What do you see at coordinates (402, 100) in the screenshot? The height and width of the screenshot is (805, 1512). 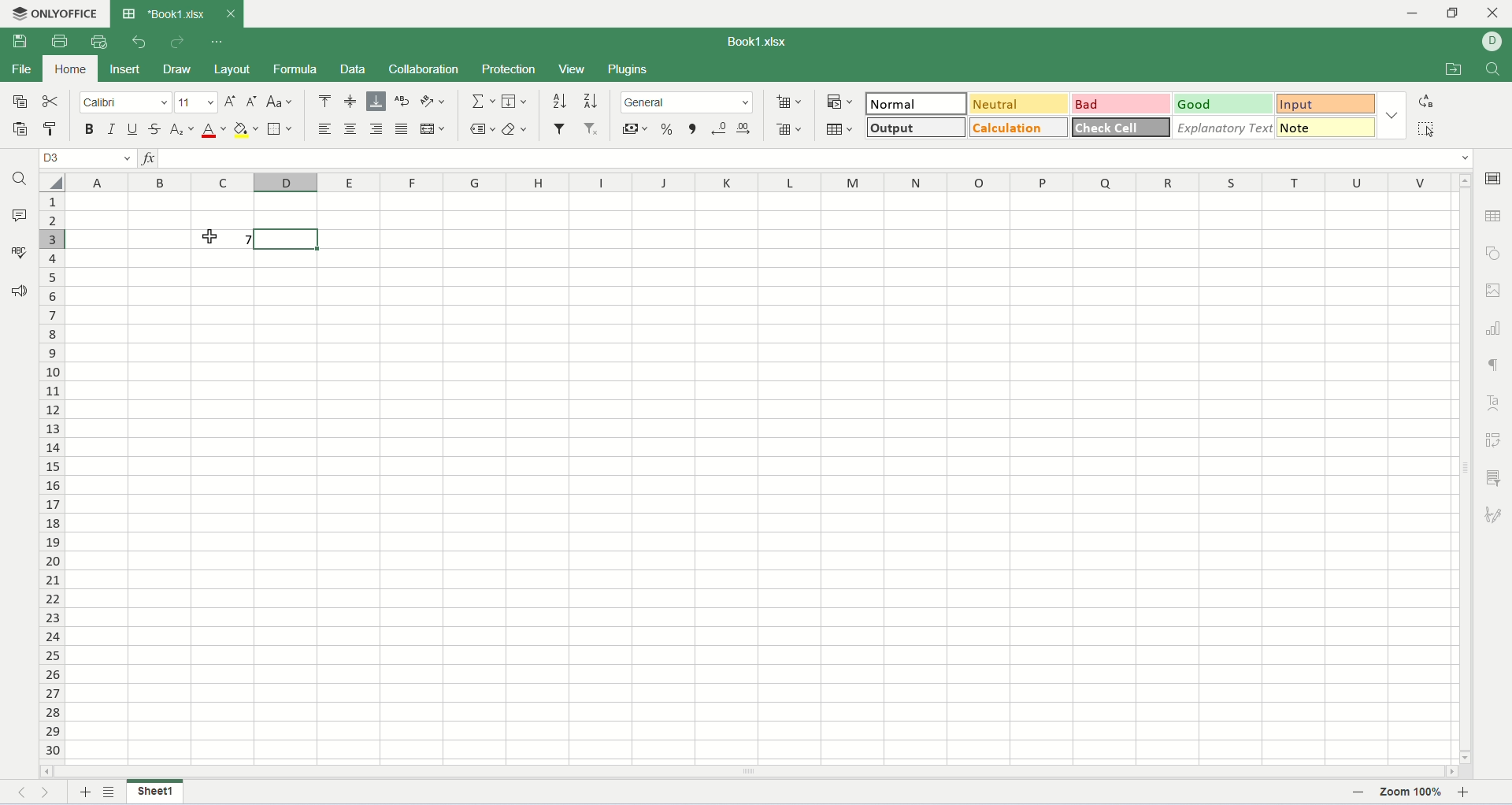 I see `wrap text` at bounding box center [402, 100].